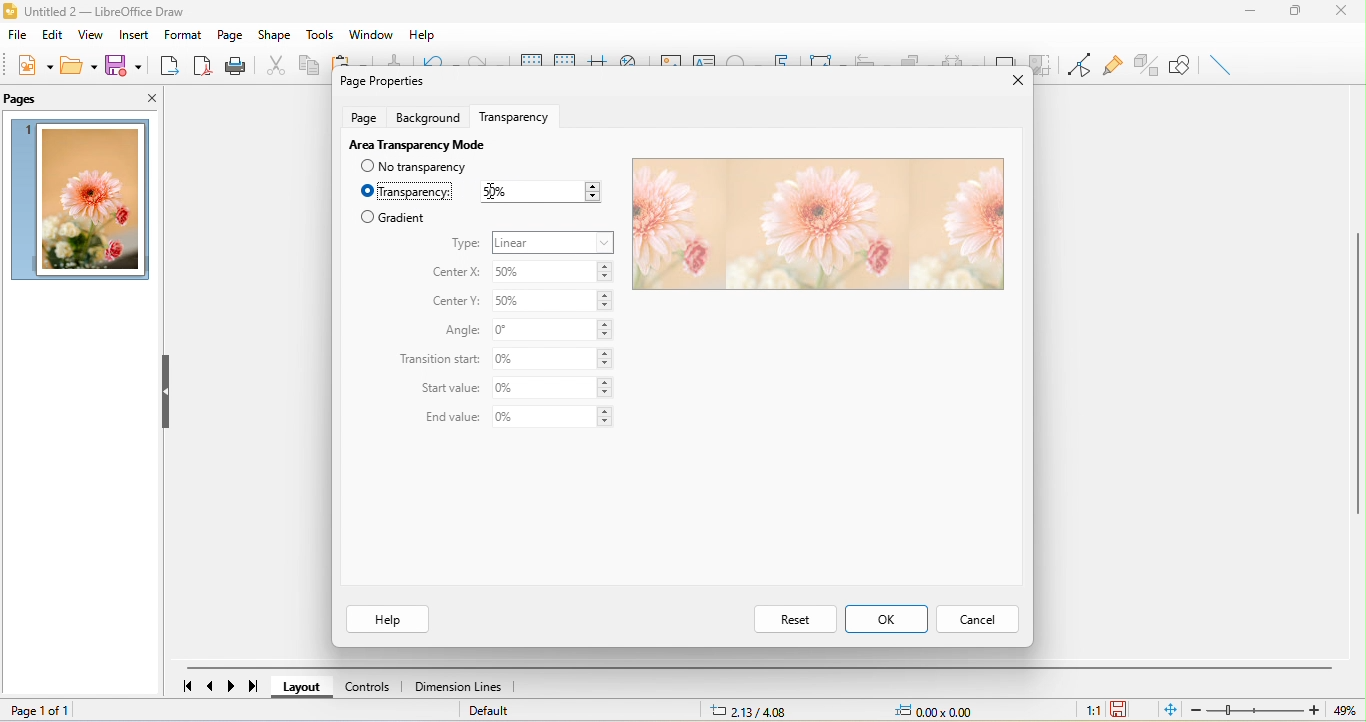 This screenshot has height=722, width=1366. What do you see at coordinates (272, 64) in the screenshot?
I see `cut` at bounding box center [272, 64].